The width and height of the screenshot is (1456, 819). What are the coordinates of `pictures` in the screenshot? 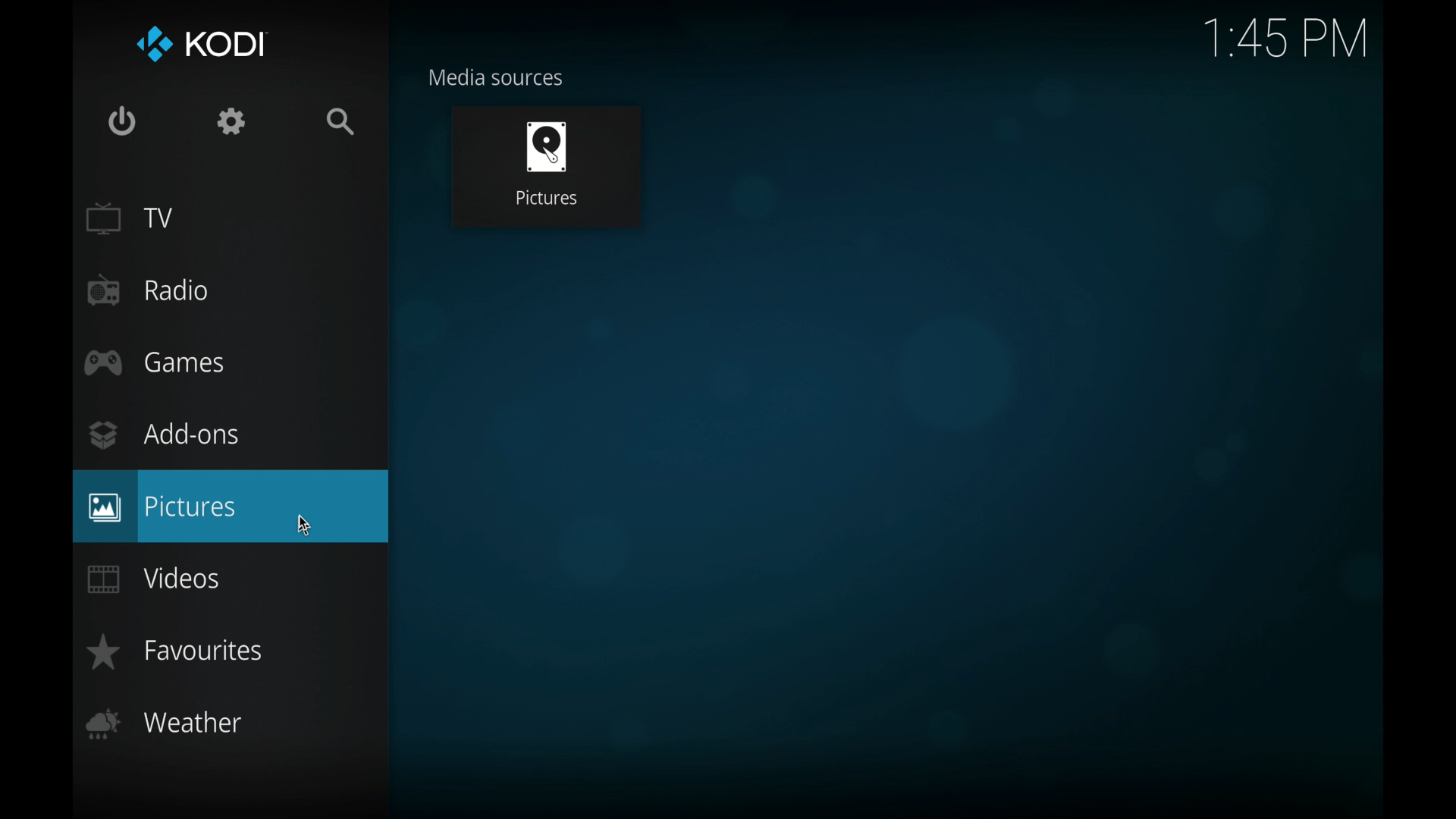 It's located at (545, 166).